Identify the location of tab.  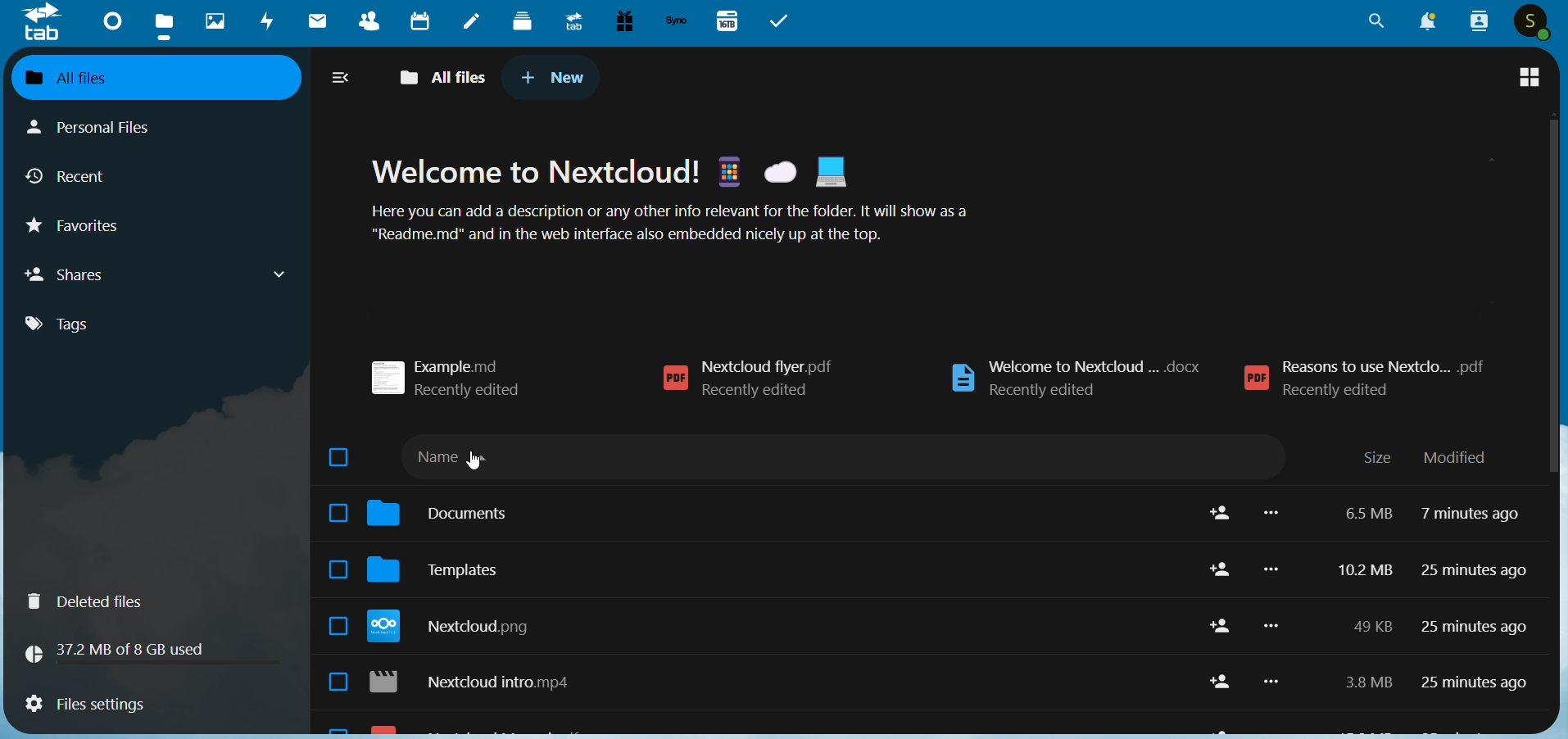
(41, 23).